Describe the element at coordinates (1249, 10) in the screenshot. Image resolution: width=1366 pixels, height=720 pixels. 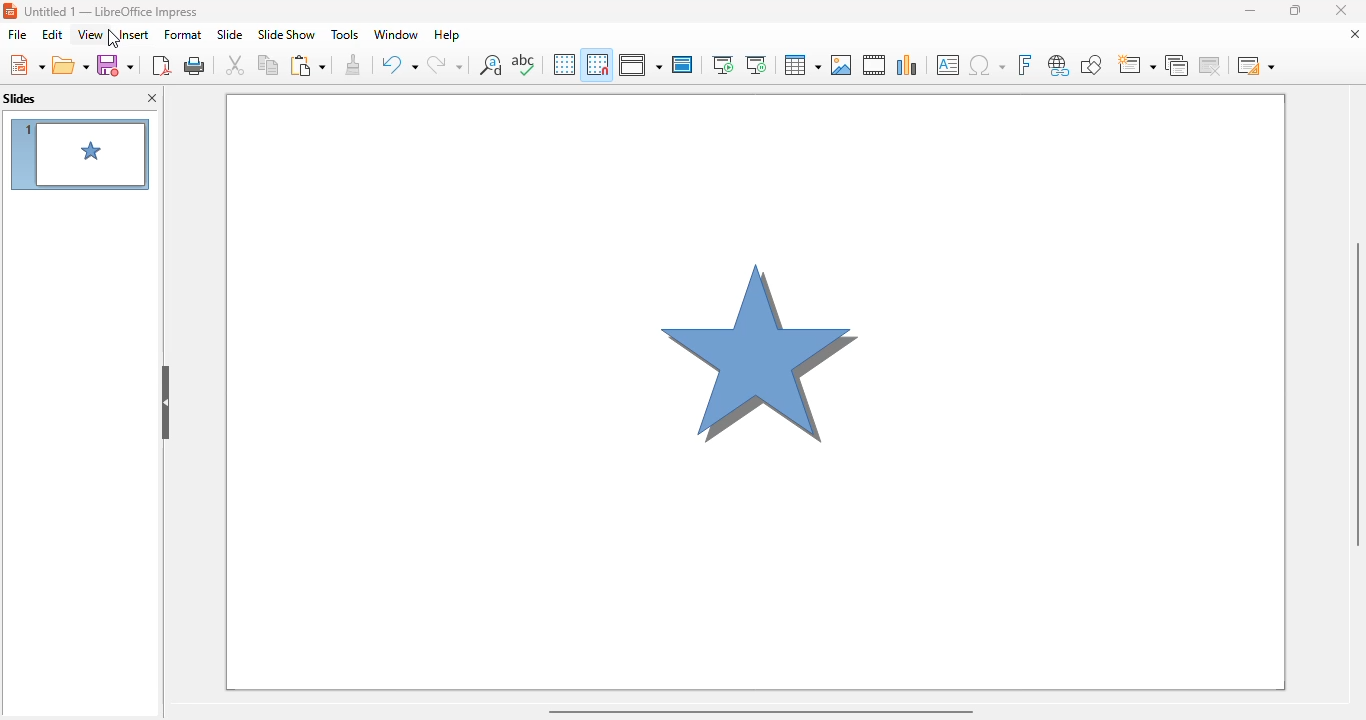
I see `minimize` at that location.